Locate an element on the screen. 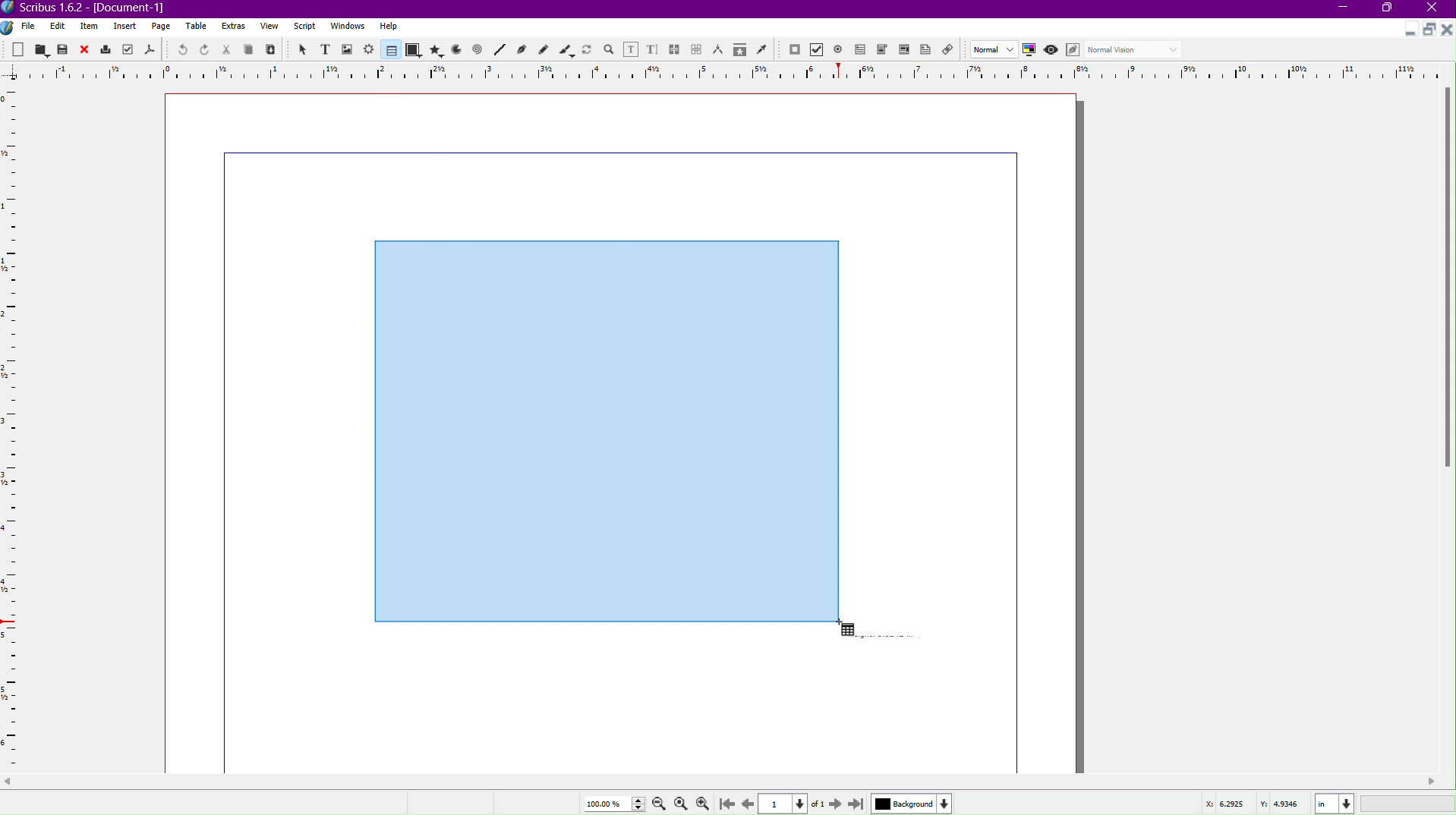 The image size is (1456, 815). Preflight Verifier is located at coordinates (125, 50).